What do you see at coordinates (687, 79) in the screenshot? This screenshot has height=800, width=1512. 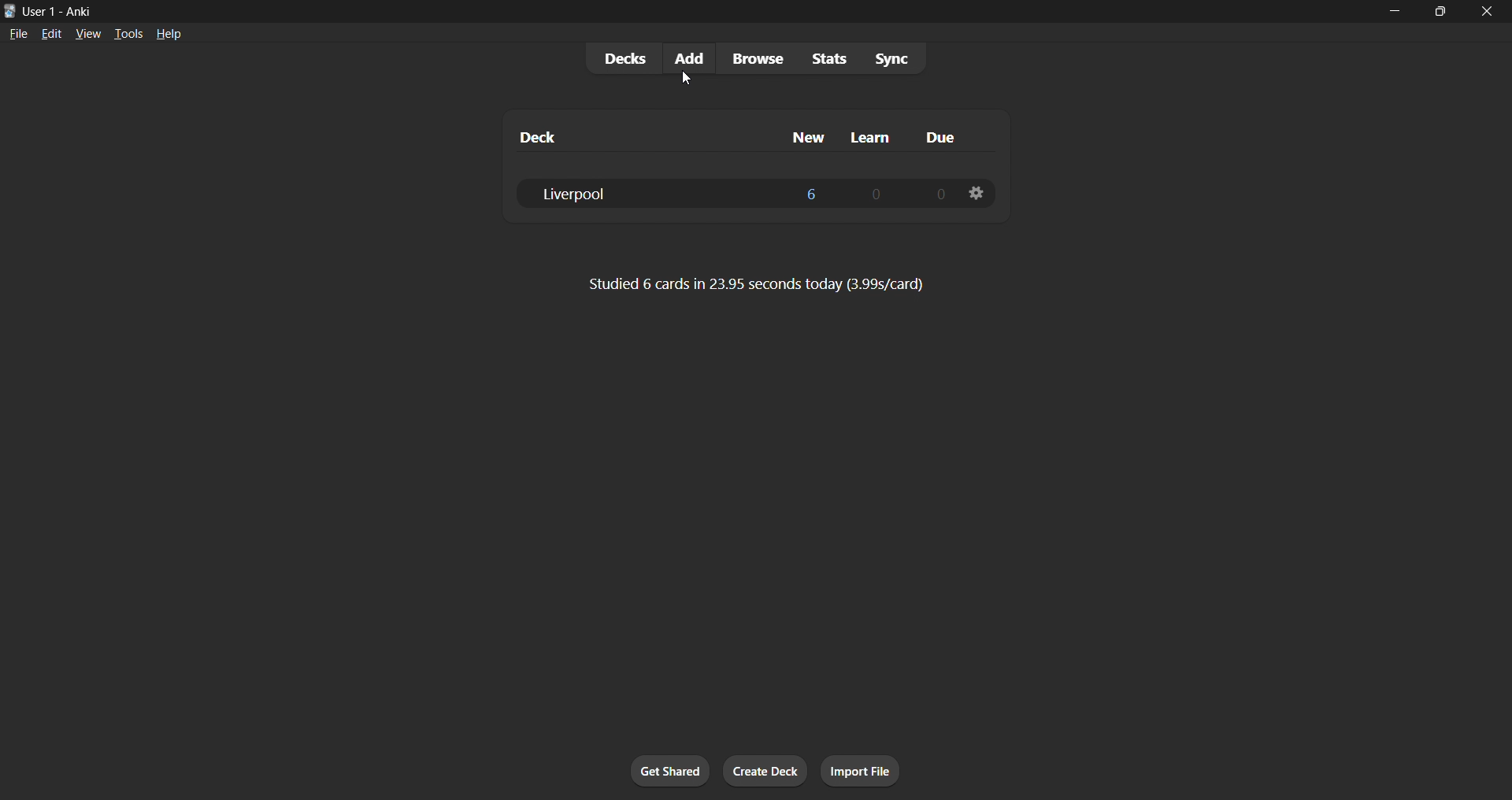 I see `Cursor` at bounding box center [687, 79].